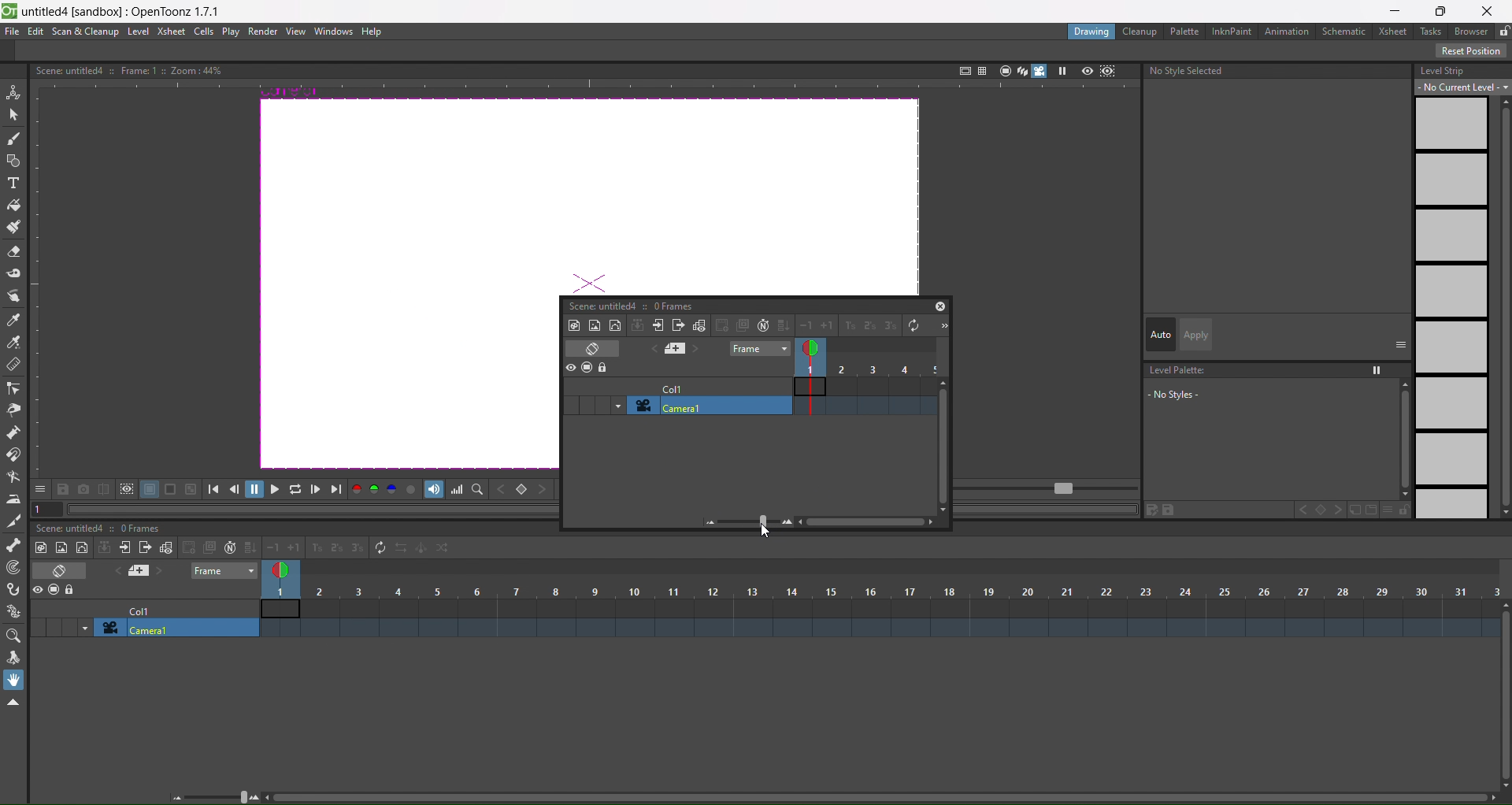  What do you see at coordinates (198, 547) in the screenshot?
I see `create blank drawing` at bounding box center [198, 547].